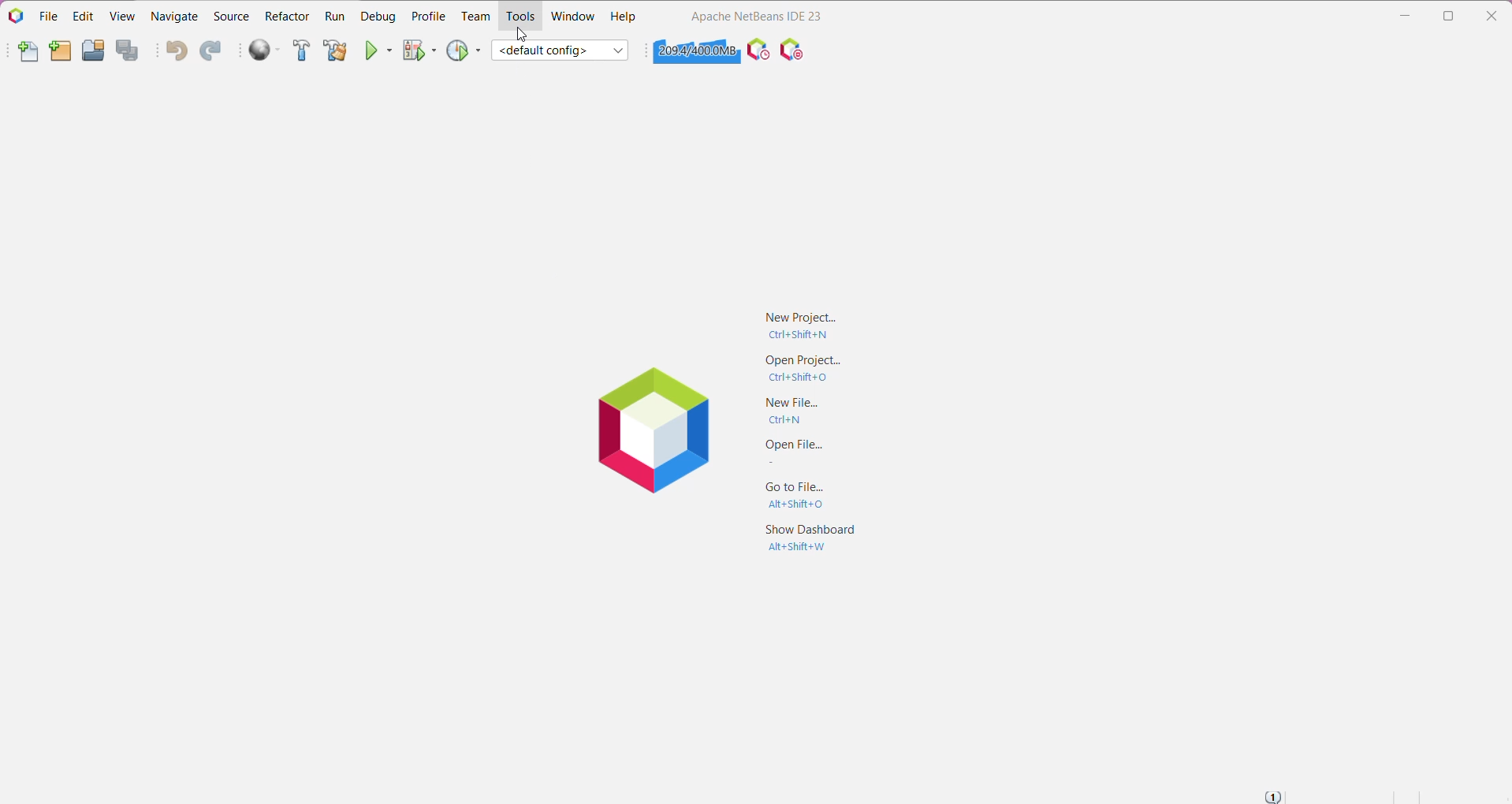 The height and width of the screenshot is (804, 1512). I want to click on Application Logo, so click(15, 15).